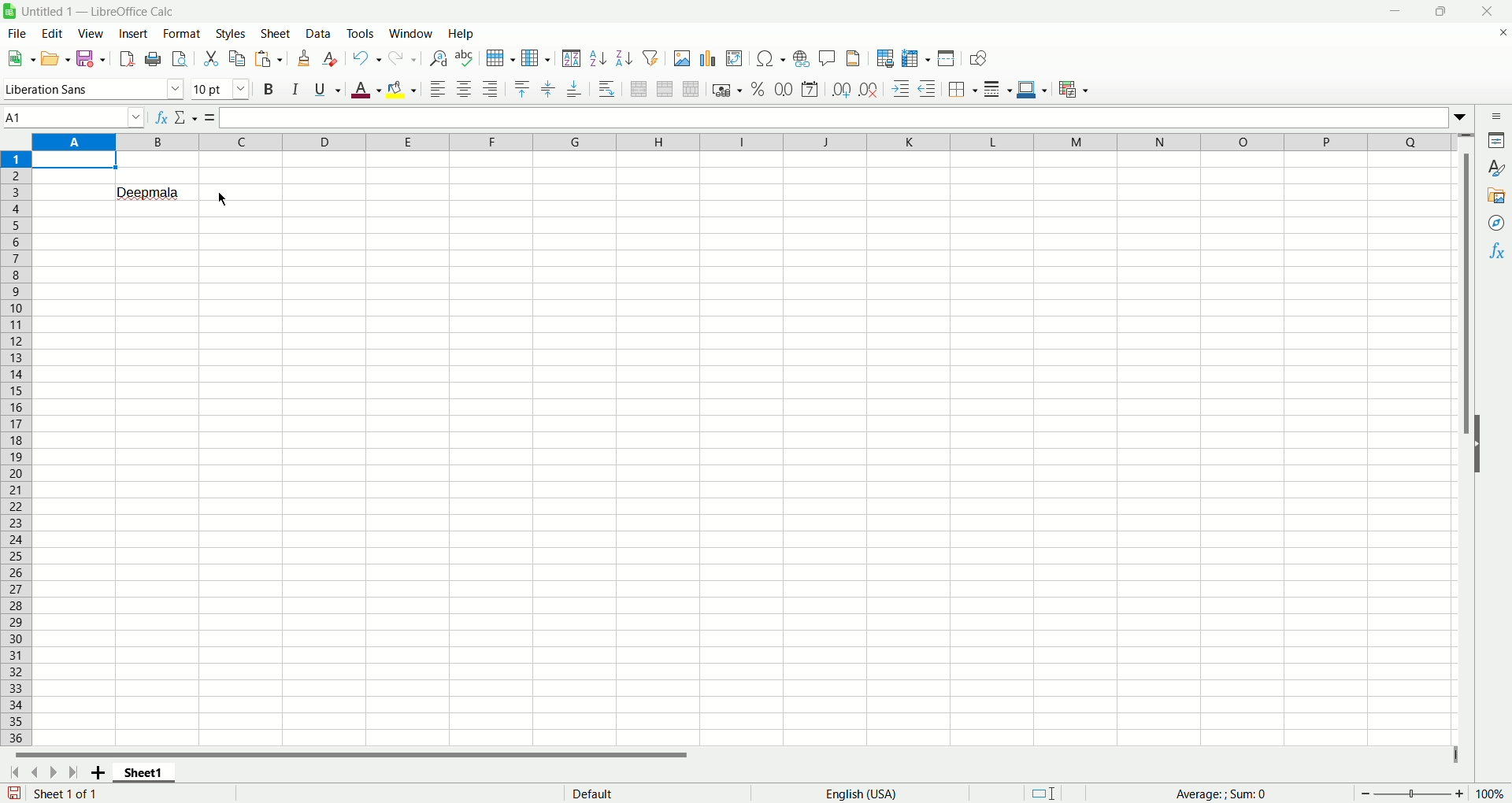  Describe the element at coordinates (900, 89) in the screenshot. I see `Increase indent` at that location.